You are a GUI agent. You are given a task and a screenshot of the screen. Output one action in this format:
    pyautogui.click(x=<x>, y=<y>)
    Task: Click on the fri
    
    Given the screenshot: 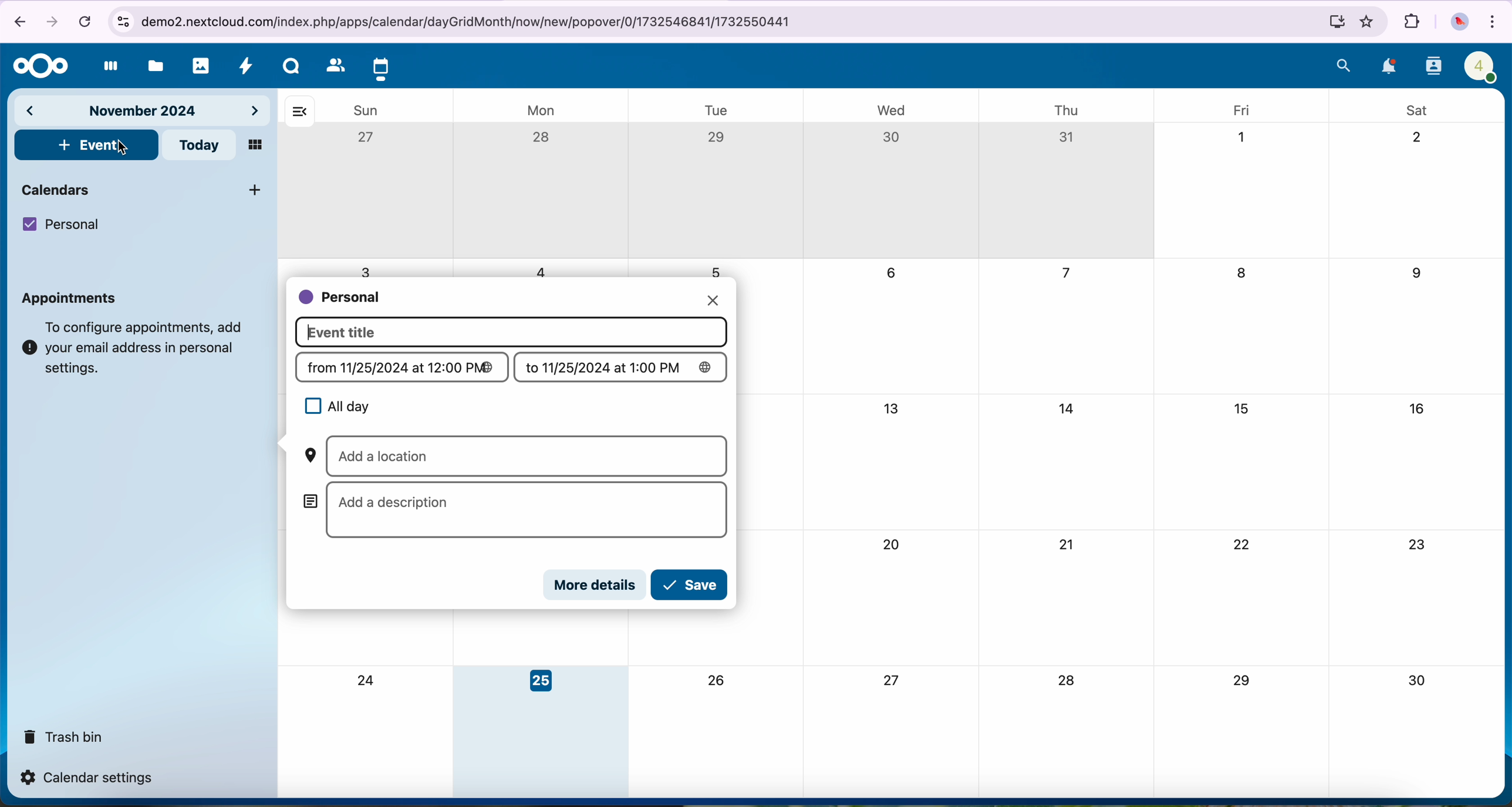 What is the action you would take?
    pyautogui.click(x=1238, y=108)
    